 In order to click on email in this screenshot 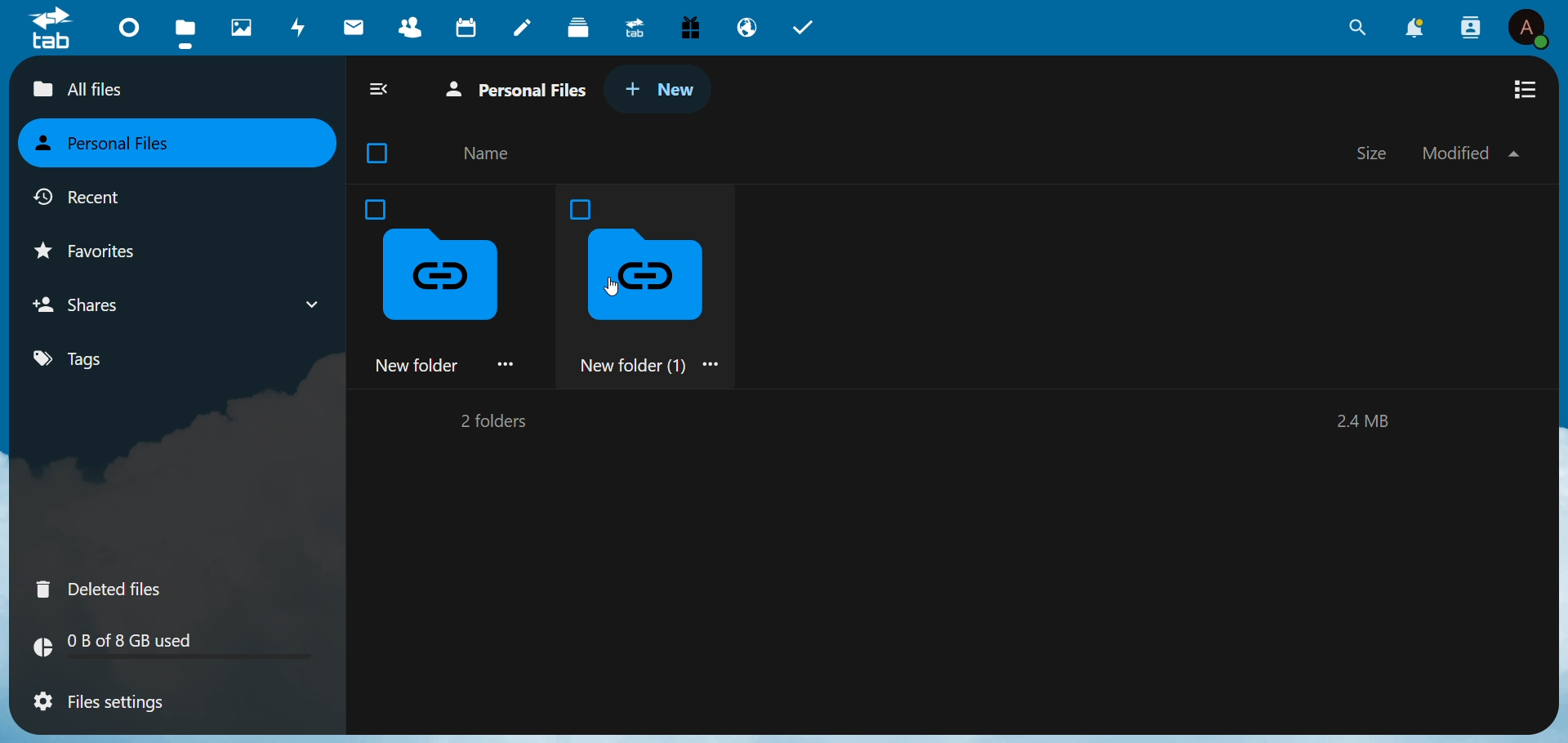, I will do `click(746, 29)`.